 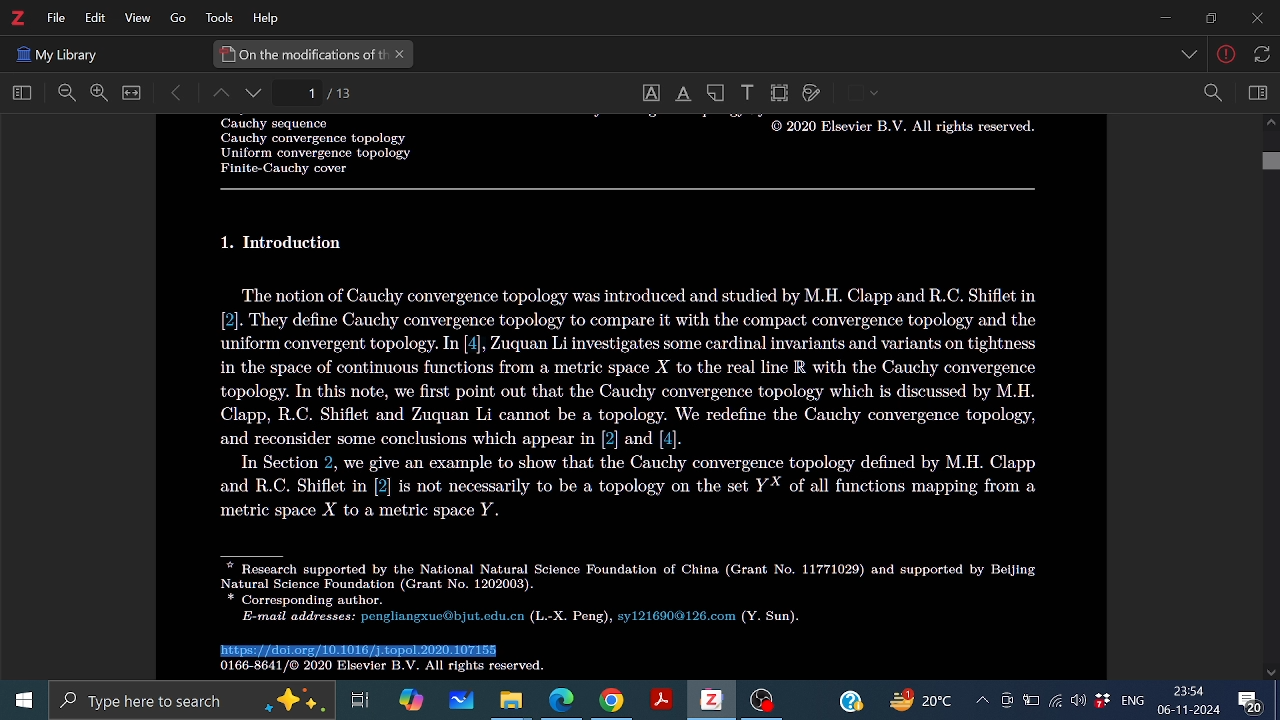 I want to click on Current page, so click(x=342, y=93).